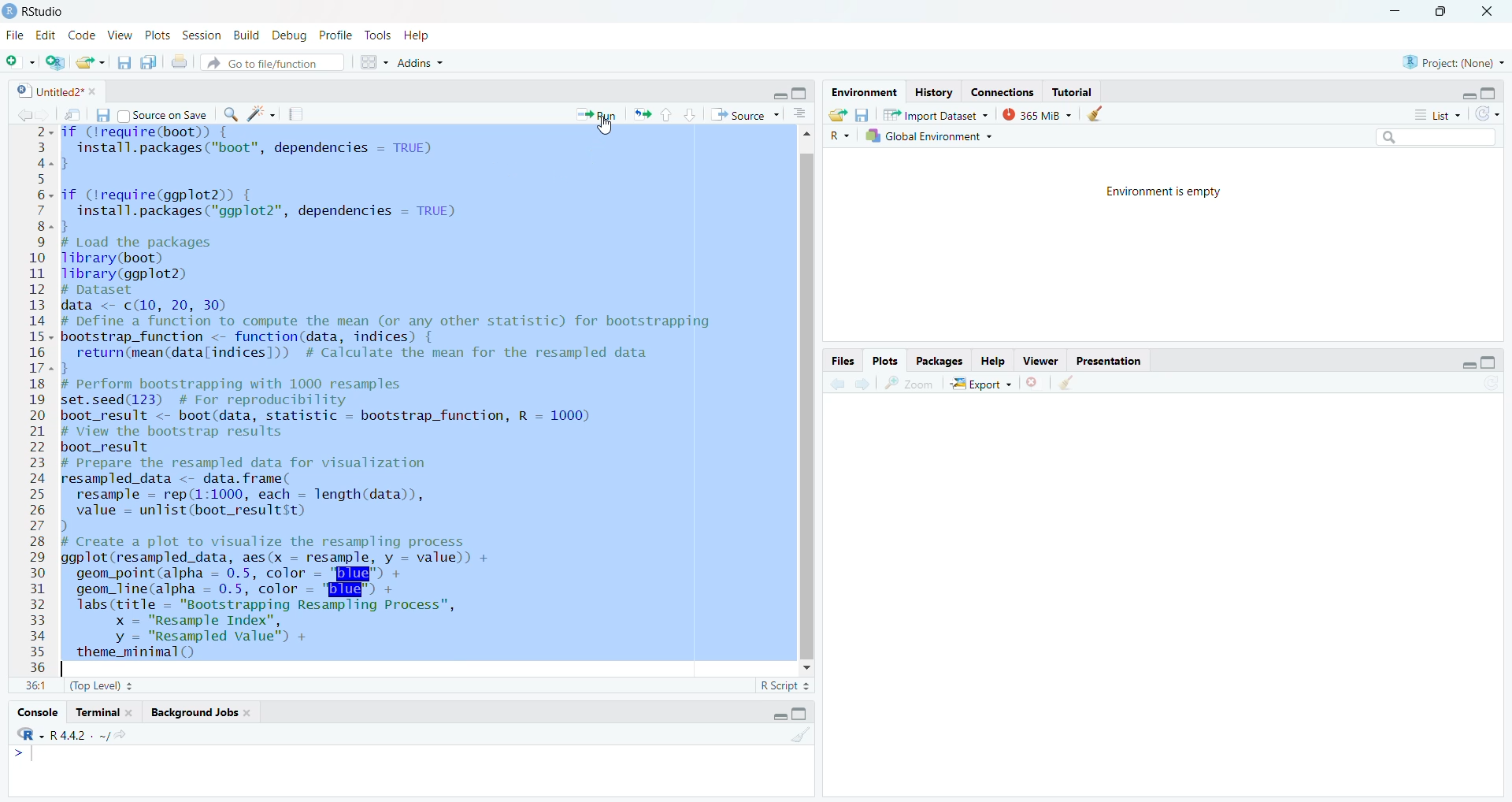 The image size is (1512, 802). Describe the element at coordinates (801, 94) in the screenshot. I see `hide console` at that location.